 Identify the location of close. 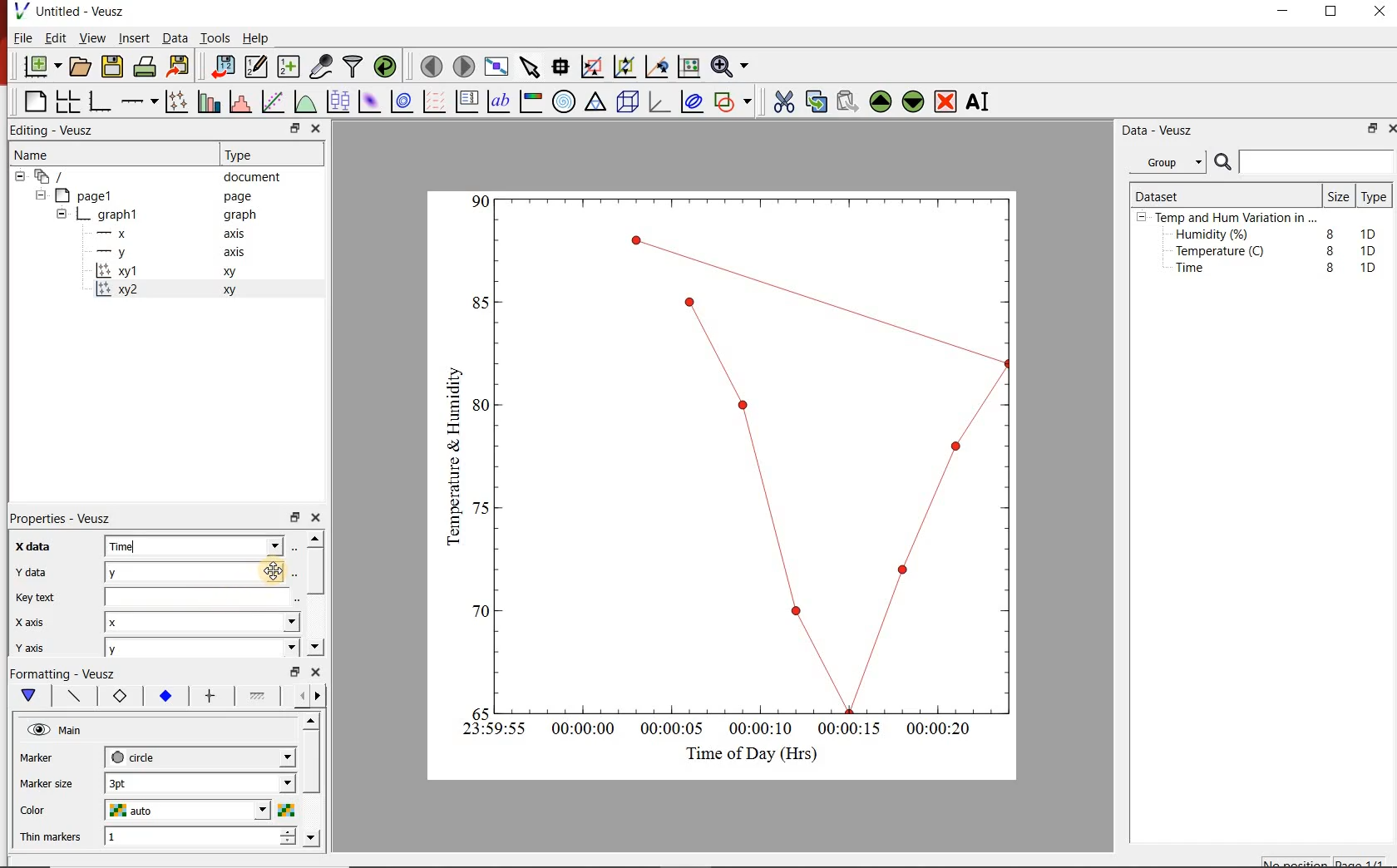
(321, 518).